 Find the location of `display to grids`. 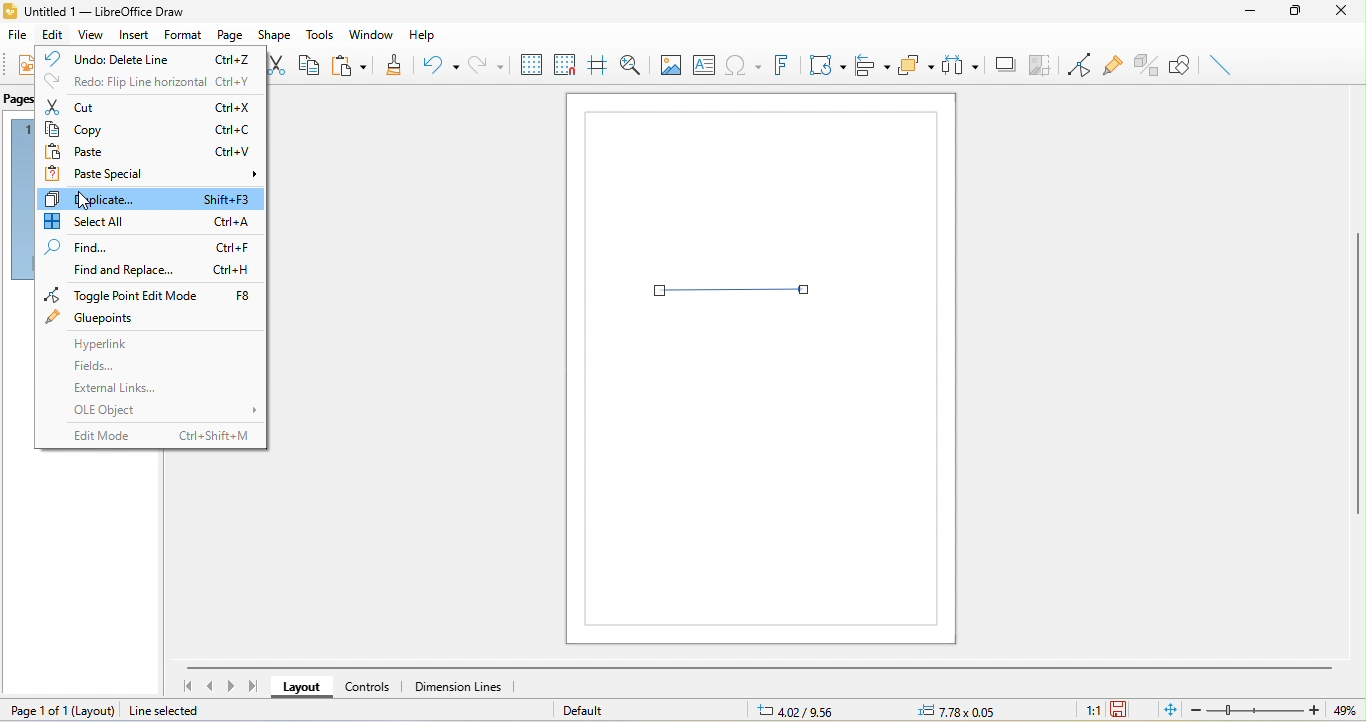

display to grids is located at coordinates (530, 64).